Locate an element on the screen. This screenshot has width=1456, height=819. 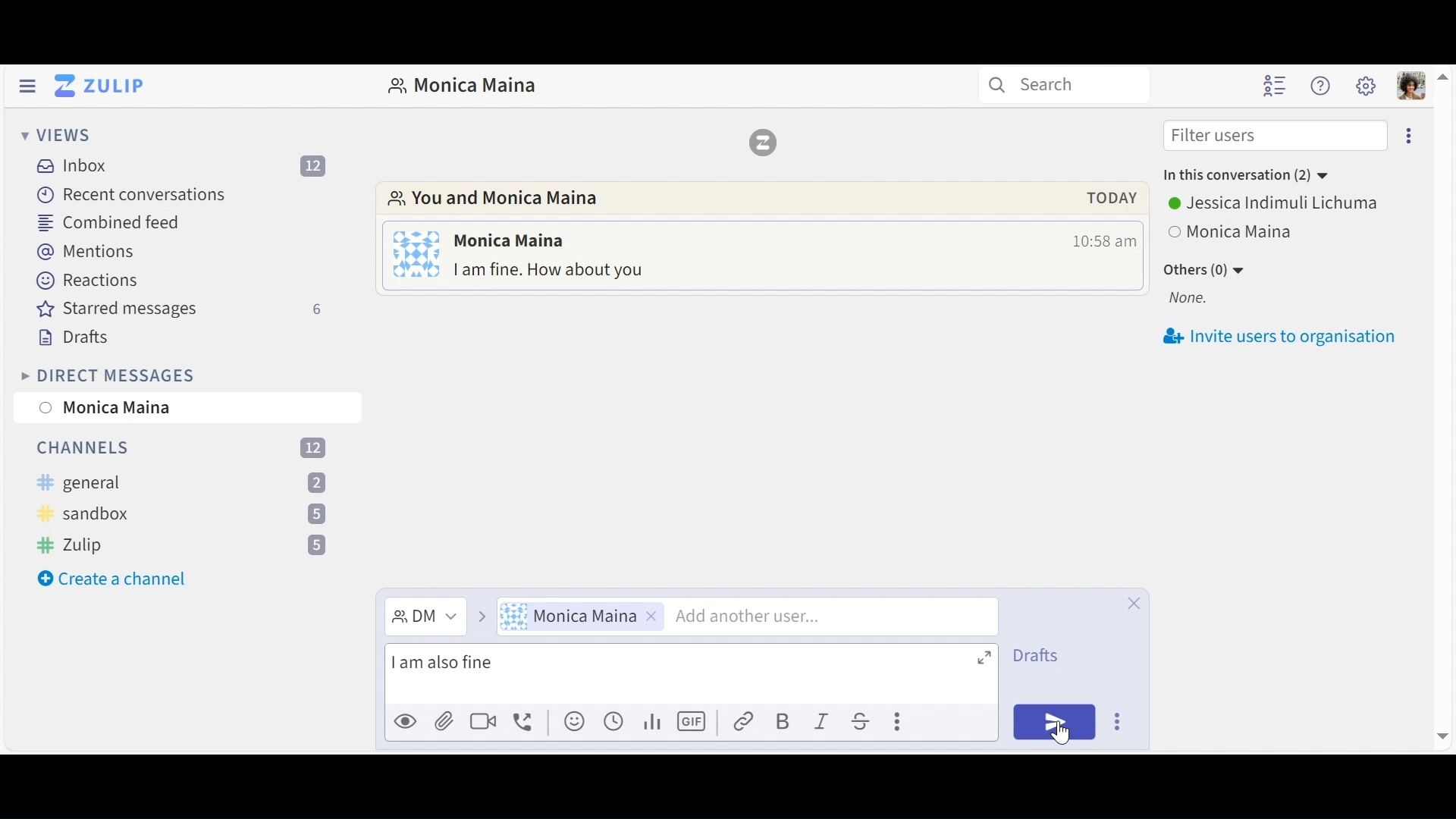
Compose message is located at coordinates (692, 671).